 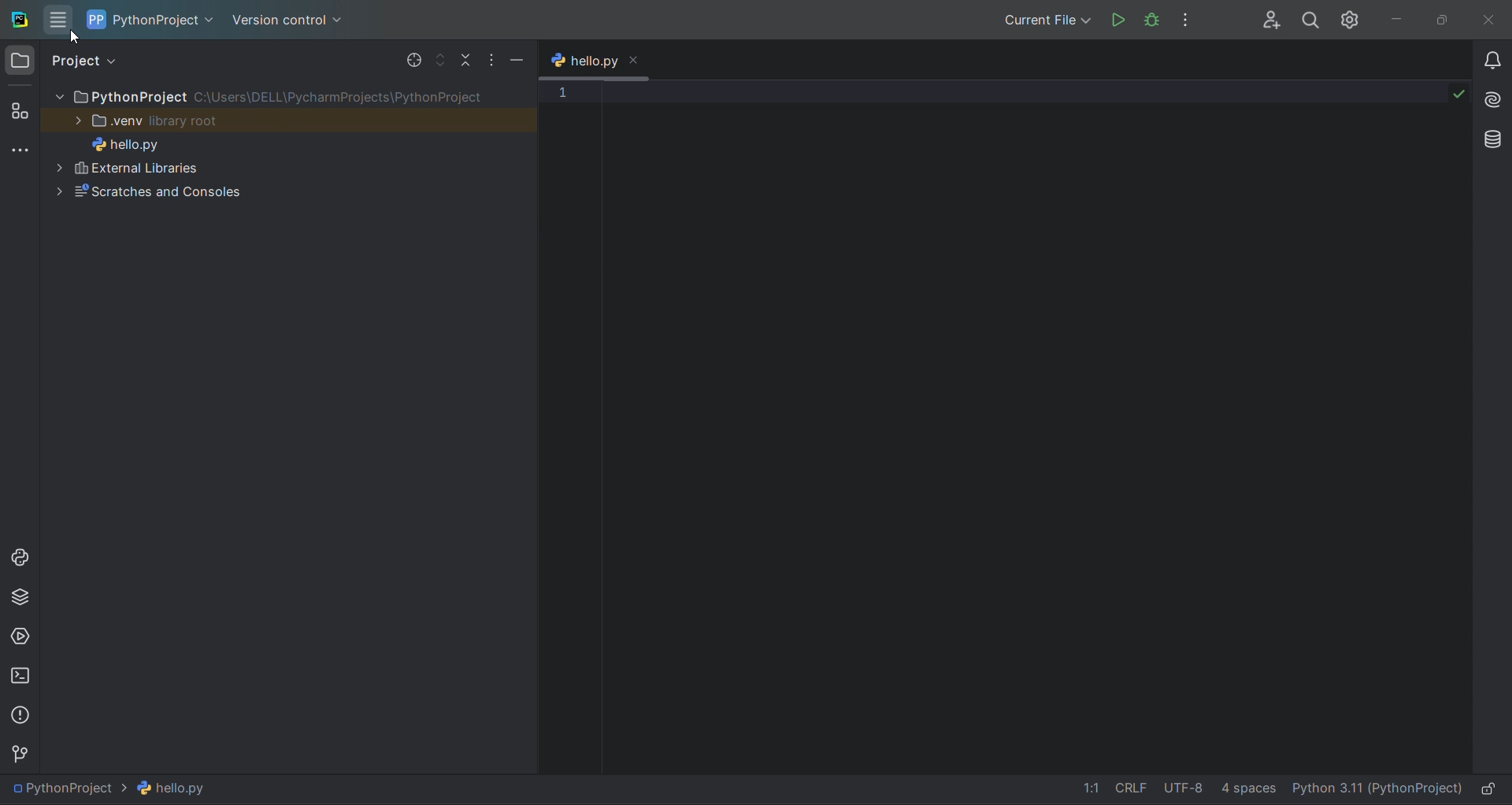 I want to click on select file, so click(x=412, y=59).